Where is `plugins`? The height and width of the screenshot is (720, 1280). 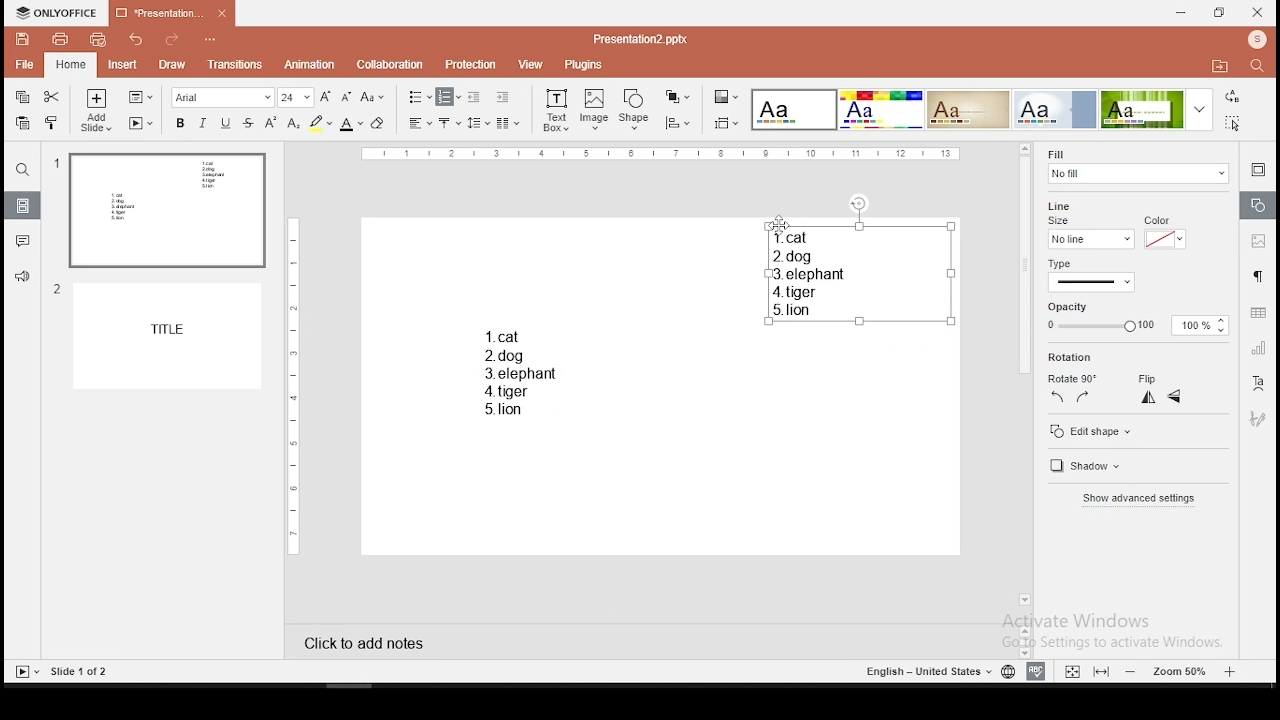 plugins is located at coordinates (585, 65).